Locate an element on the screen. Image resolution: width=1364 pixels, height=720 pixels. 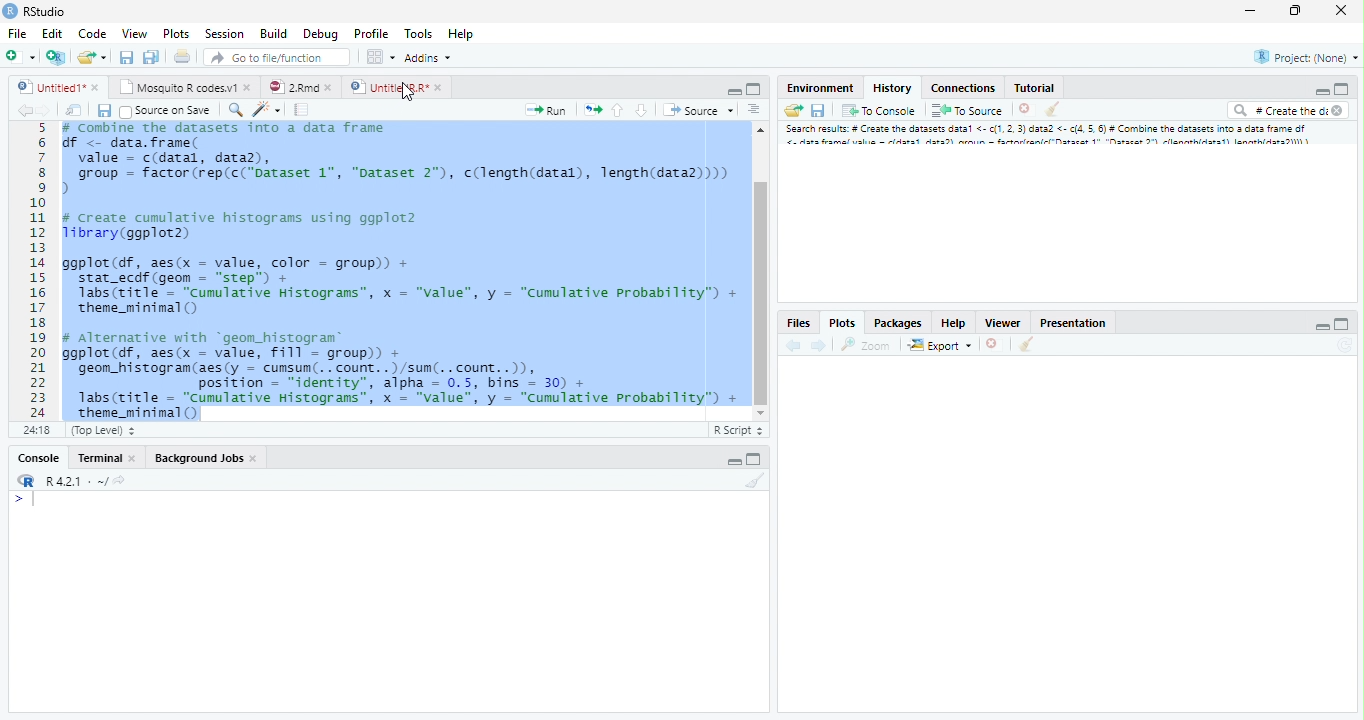
Mosquito R codes is located at coordinates (188, 87).